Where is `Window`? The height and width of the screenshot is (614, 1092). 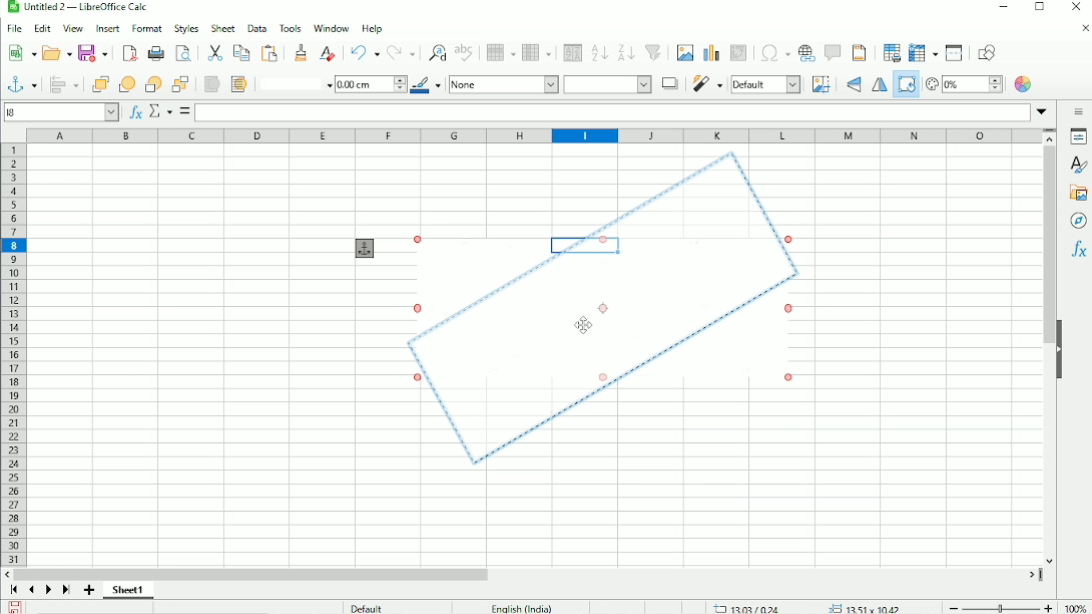 Window is located at coordinates (331, 26).